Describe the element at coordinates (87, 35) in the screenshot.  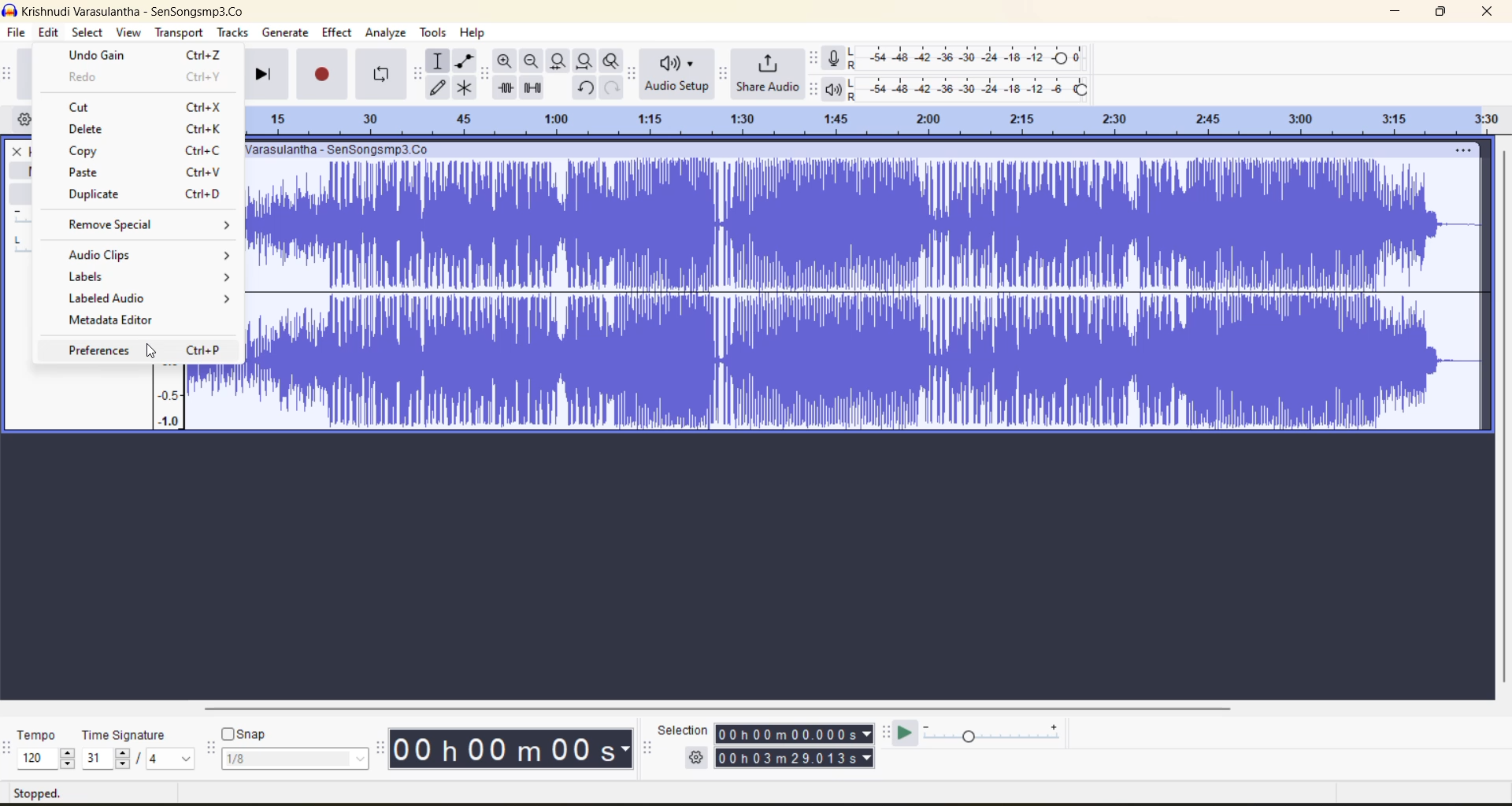
I see `select` at that location.